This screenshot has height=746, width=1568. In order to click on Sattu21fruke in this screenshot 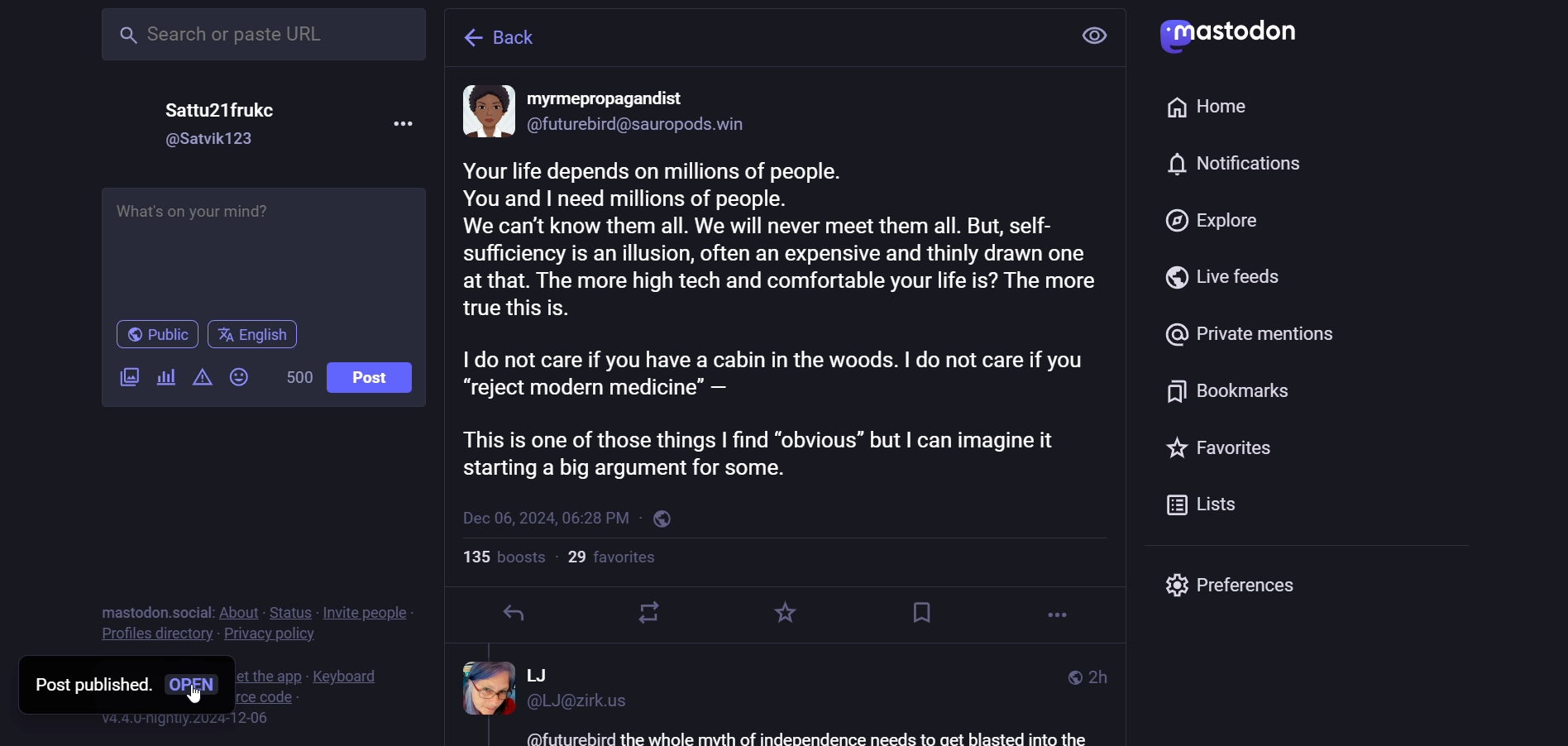, I will do `click(218, 109)`.